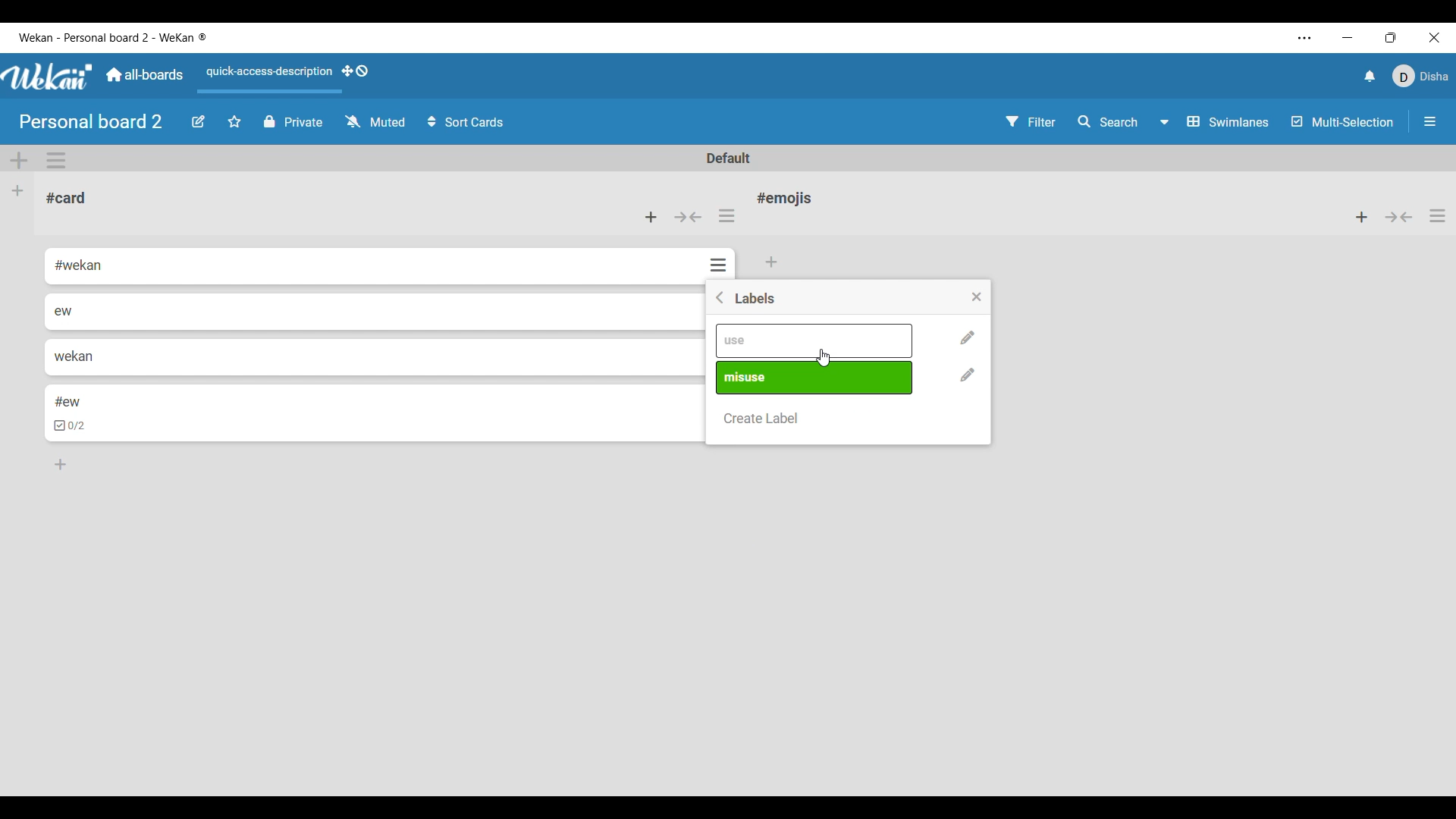  What do you see at coordinates (689, 217) in the screenshot?
I see `Collapse` at bounding box center [689, 217].